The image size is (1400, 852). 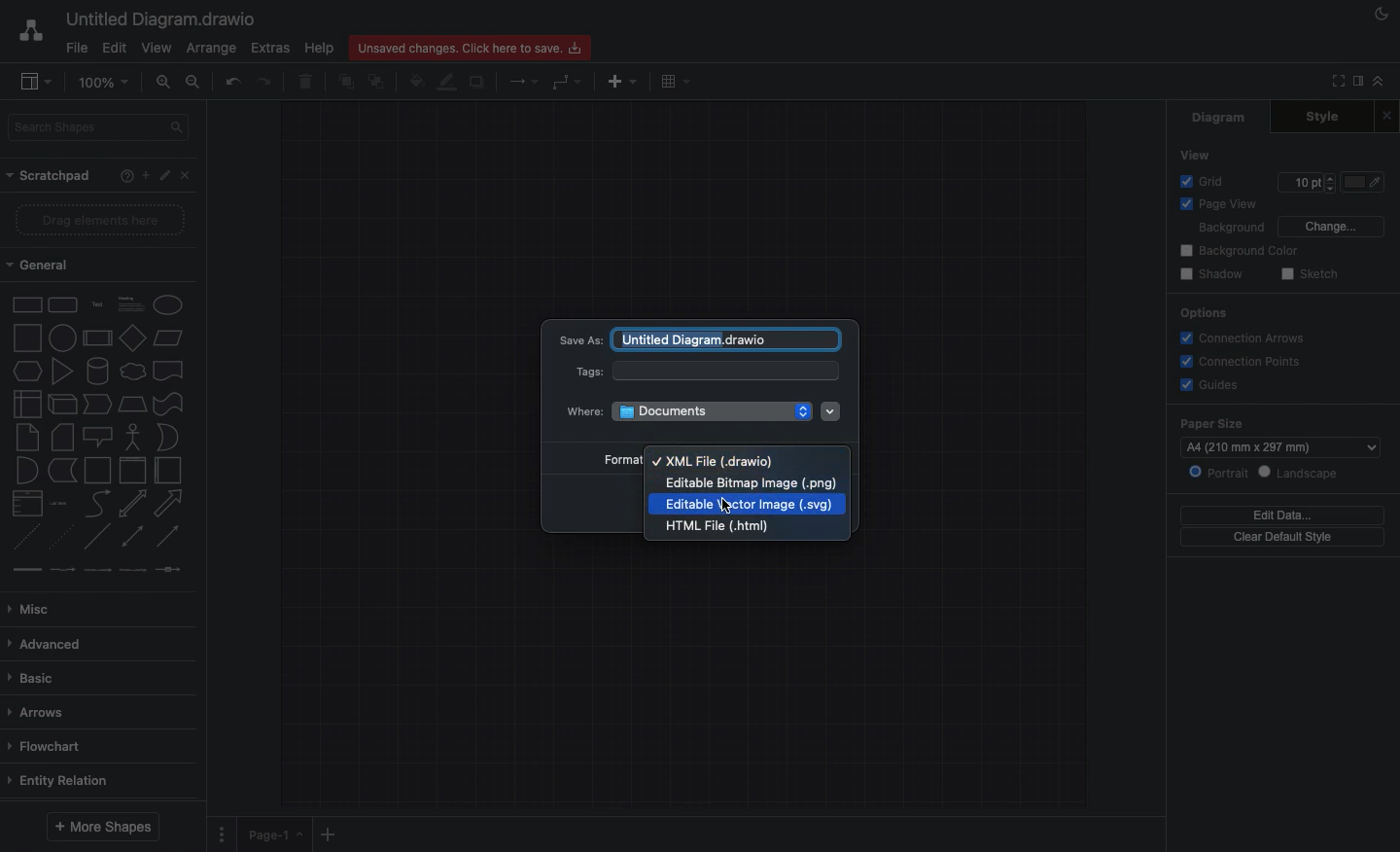 I want to click on View, so click(x=157, y=49).